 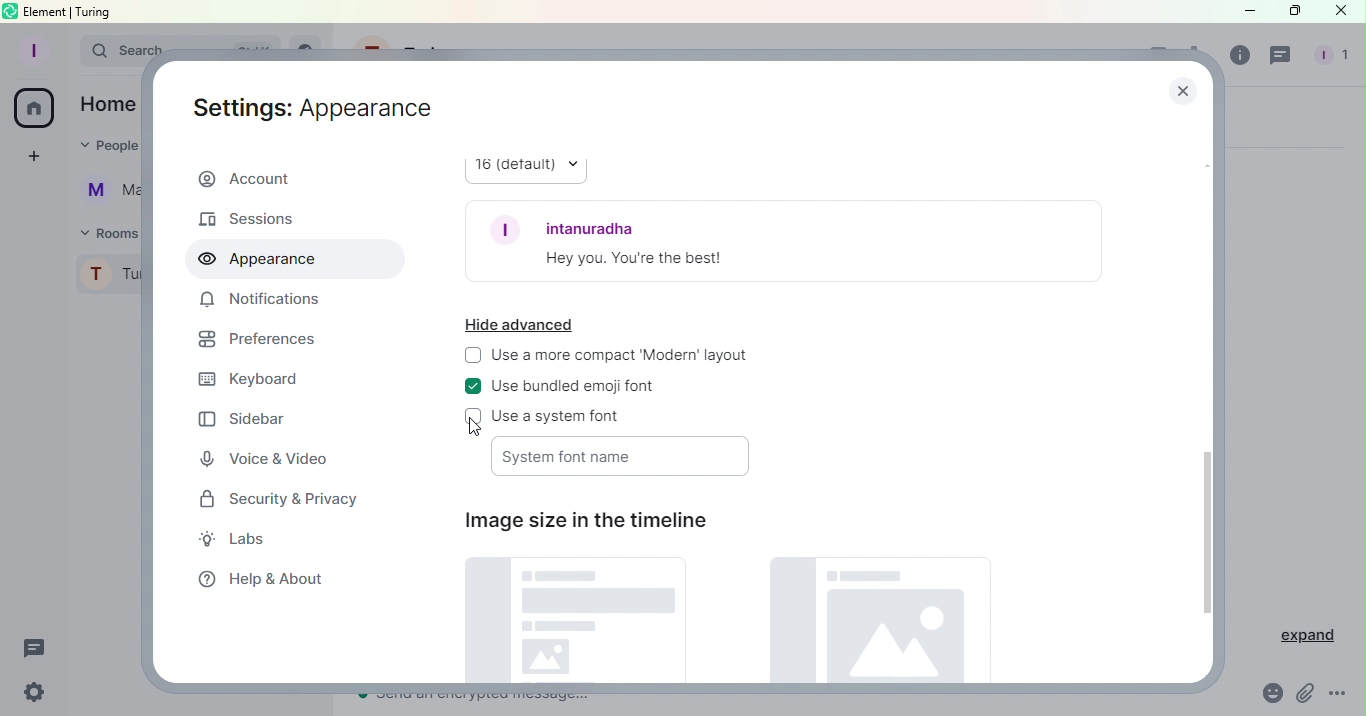 I want to click on Voice and Video, so click(x=262, y=458).